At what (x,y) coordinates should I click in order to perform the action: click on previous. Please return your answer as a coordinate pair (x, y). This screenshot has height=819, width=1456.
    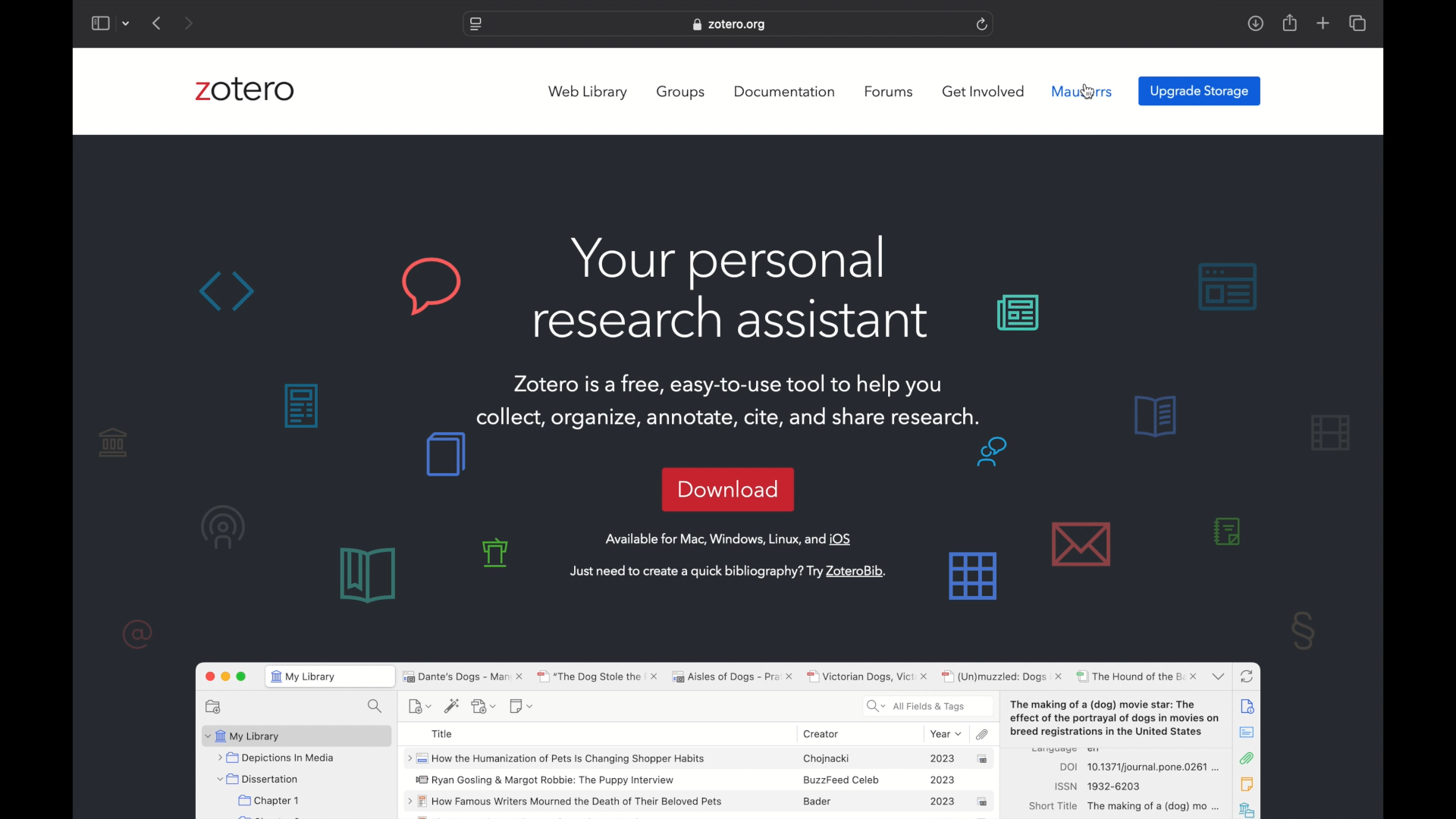
    Looking at the image, I should click on (158, 23).